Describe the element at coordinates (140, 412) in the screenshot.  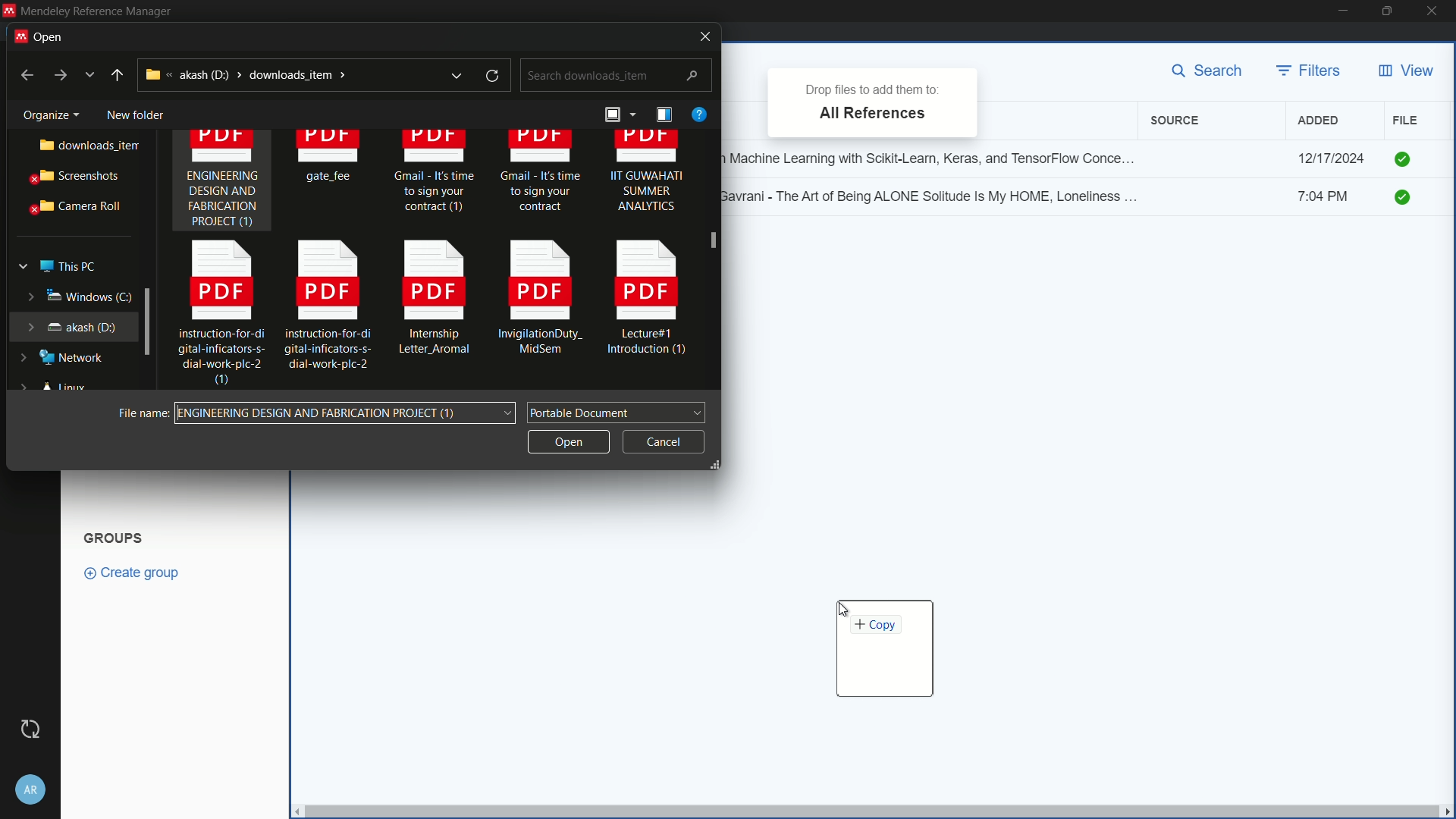
I see `file name` at that location.